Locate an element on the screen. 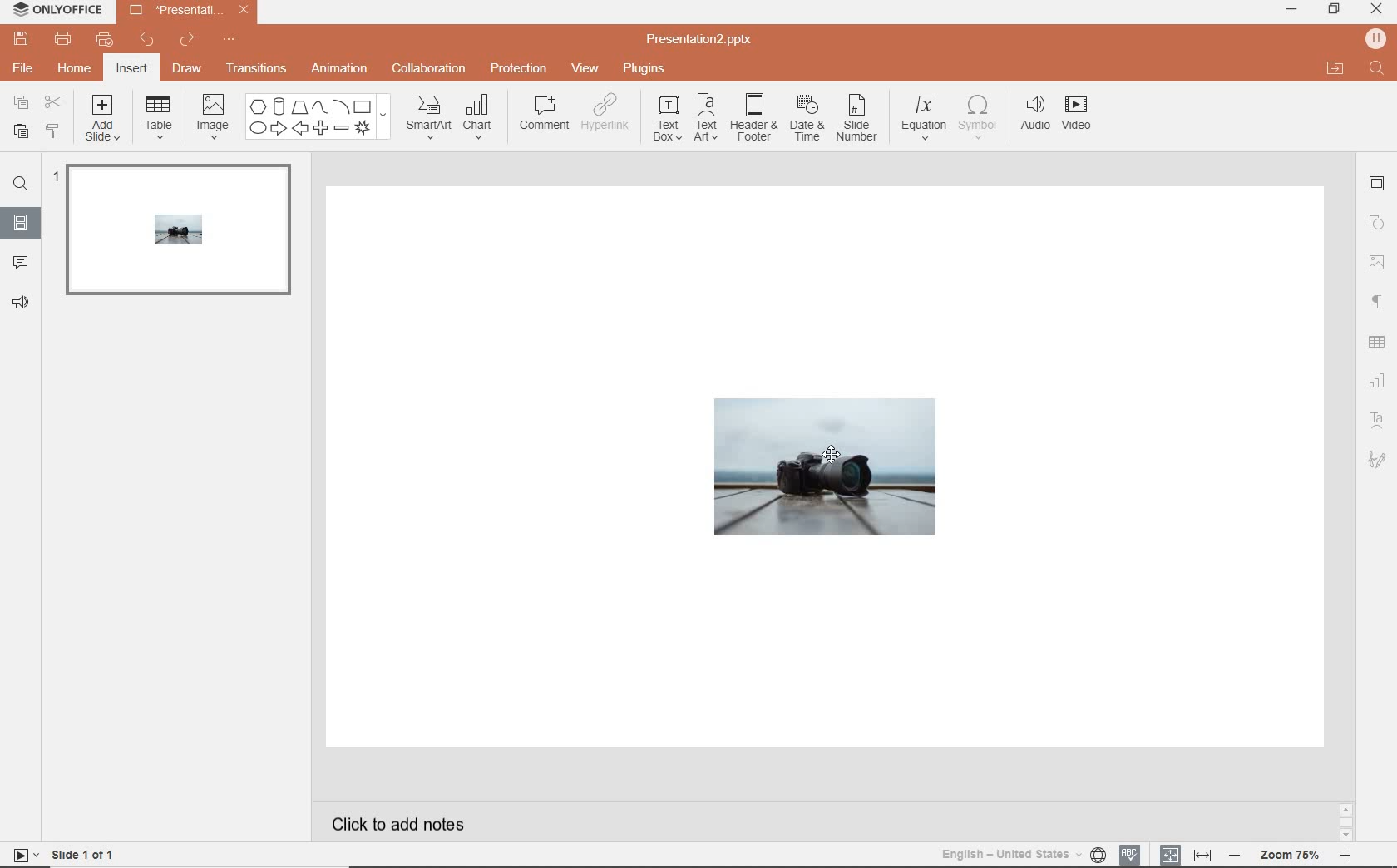 The height and width of the screenshot is (868, 1397). text art is located at coordinates (706, 120).